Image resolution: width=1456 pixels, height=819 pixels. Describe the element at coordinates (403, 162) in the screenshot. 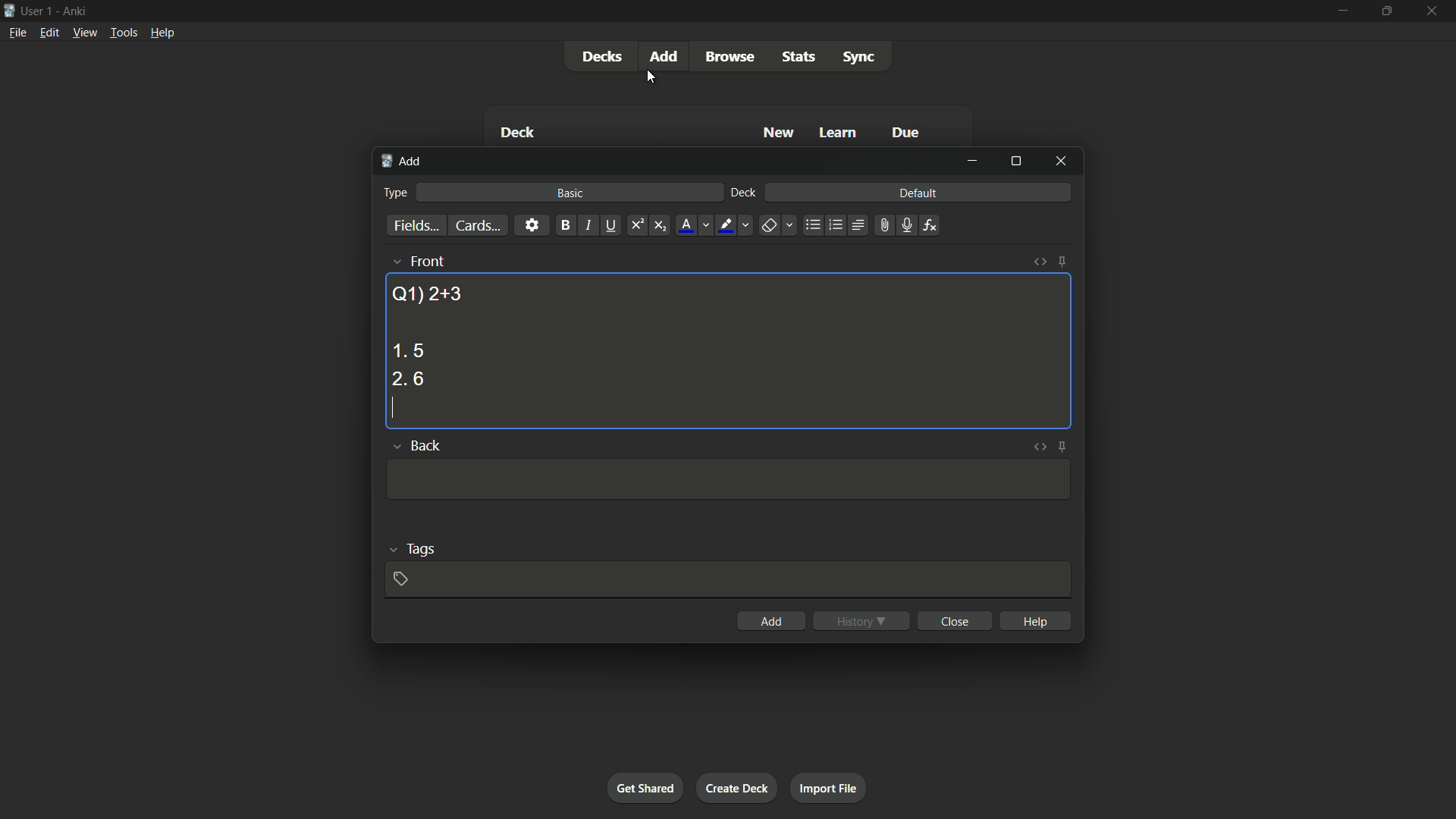

I see `add` at that location.